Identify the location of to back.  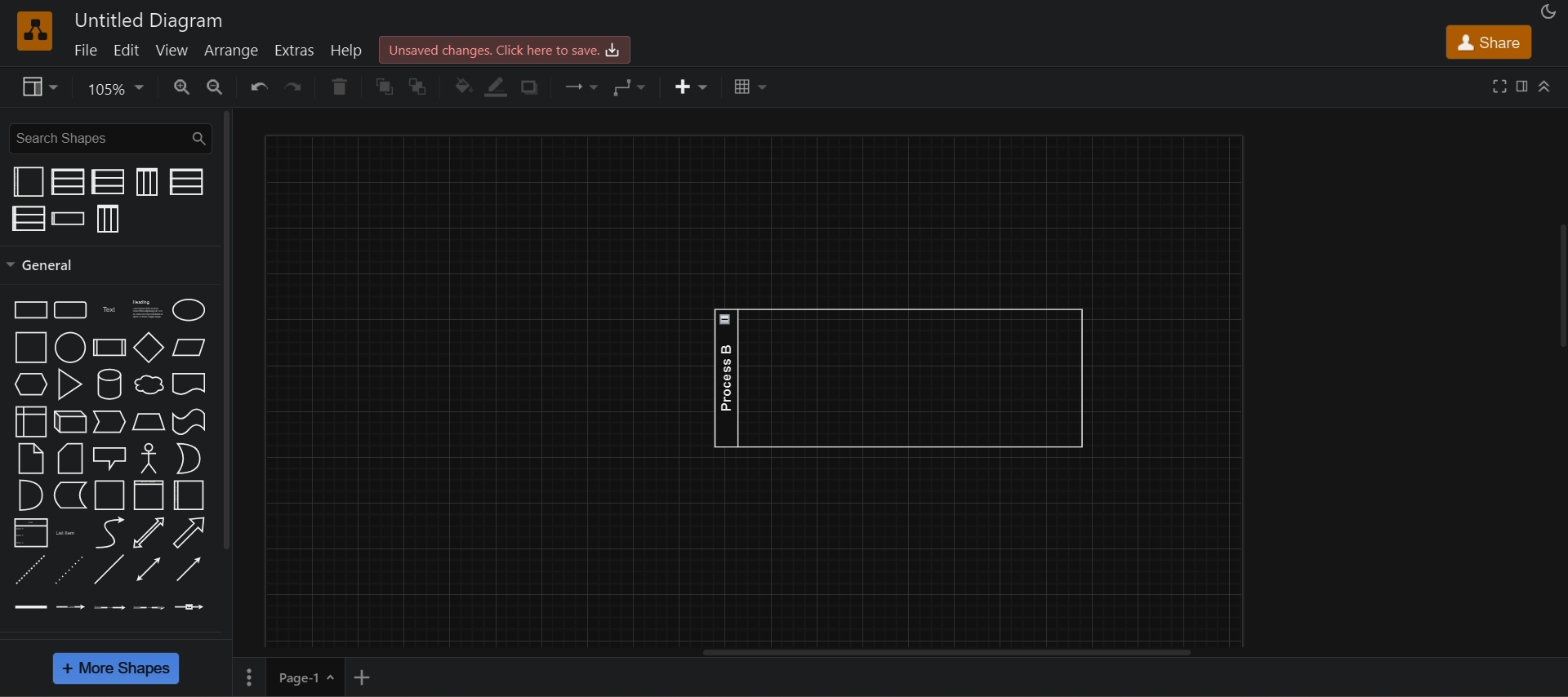
(420, 87).